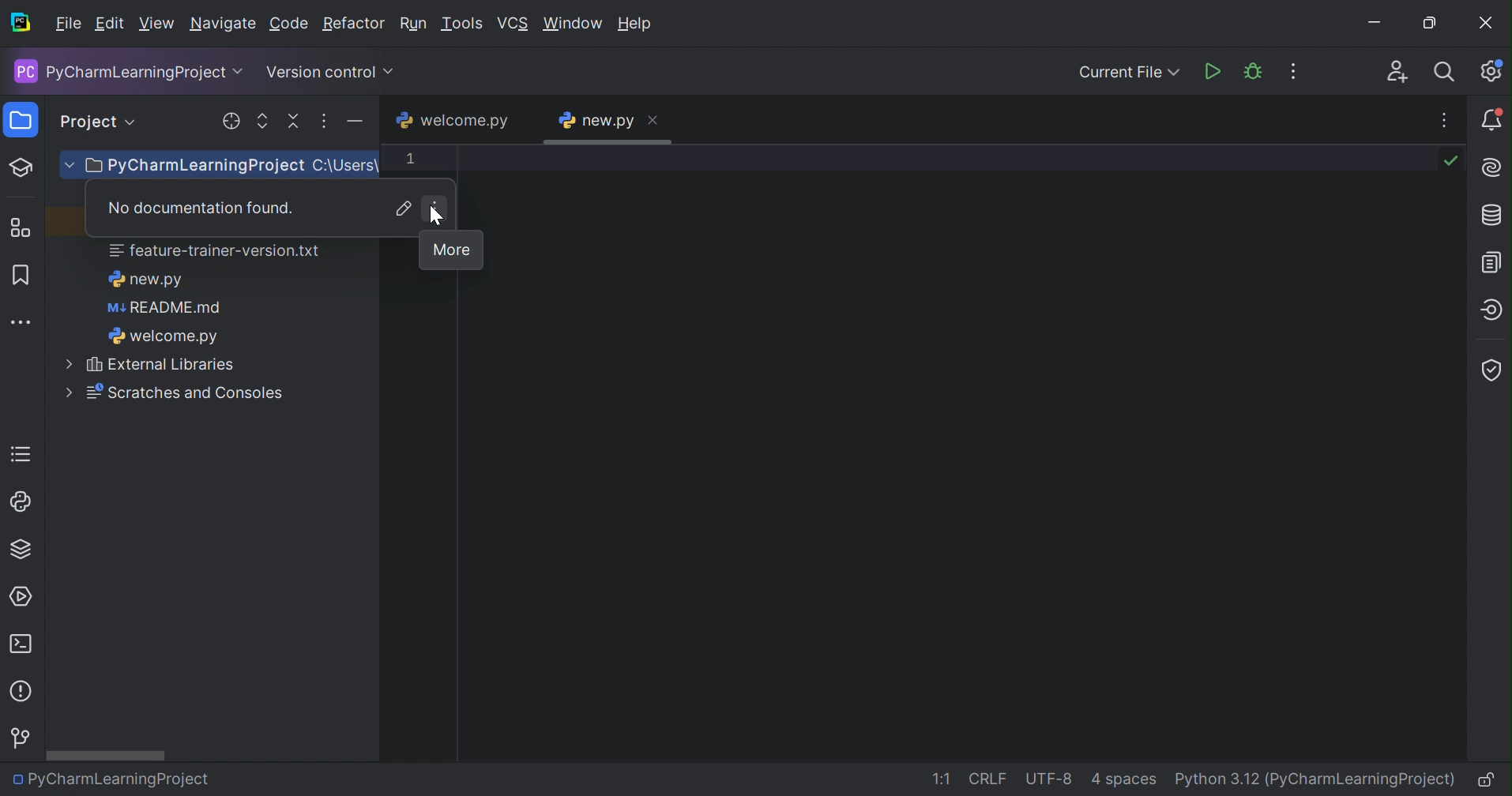 The height and width of the screenshot is (796, 1512). What do you see at coordinates (181, 167) in the screenshot?
I see `PyCharmLearningProject` at bounding box center [181, 167].